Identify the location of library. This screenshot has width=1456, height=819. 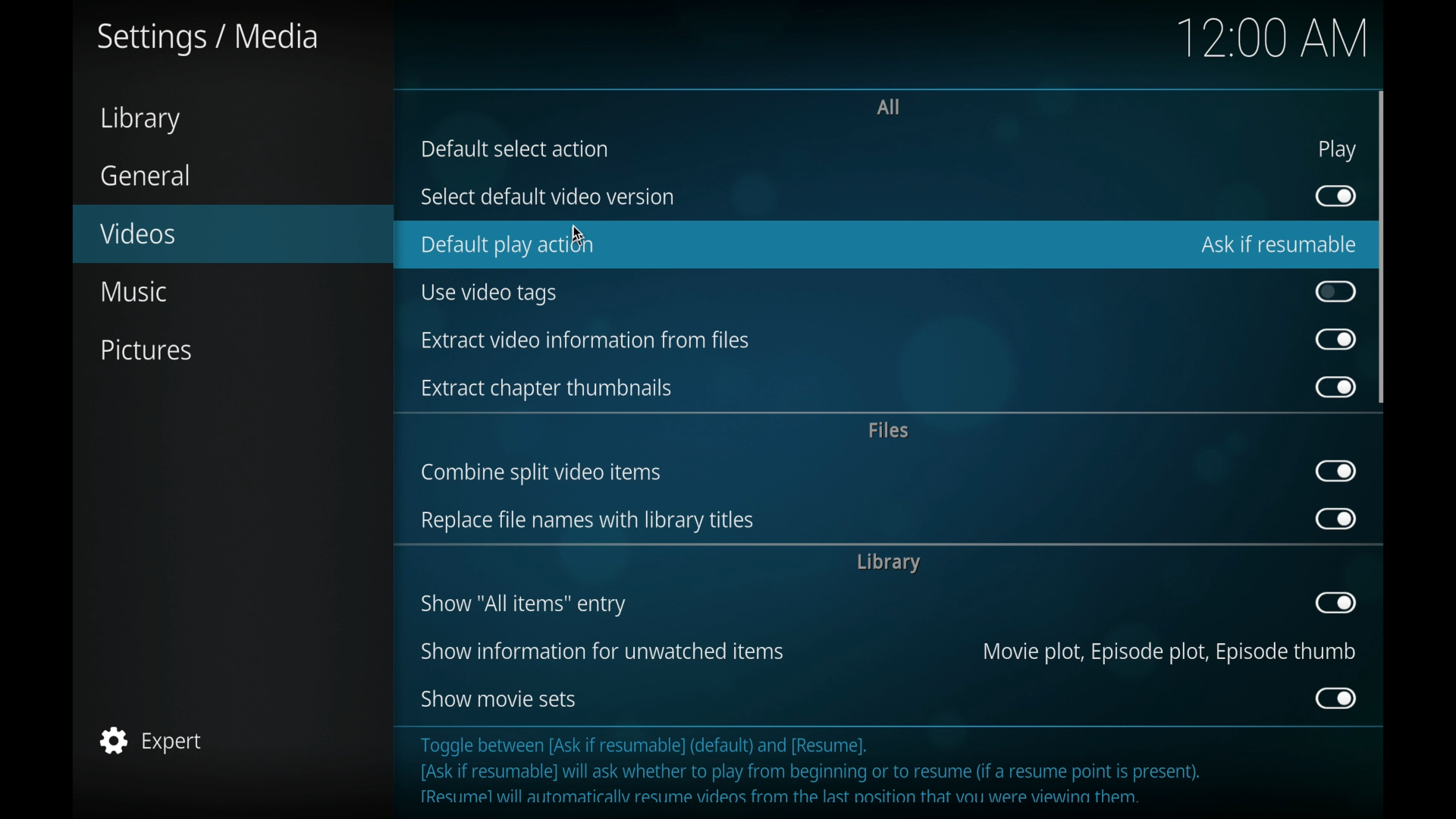
(140, 120).